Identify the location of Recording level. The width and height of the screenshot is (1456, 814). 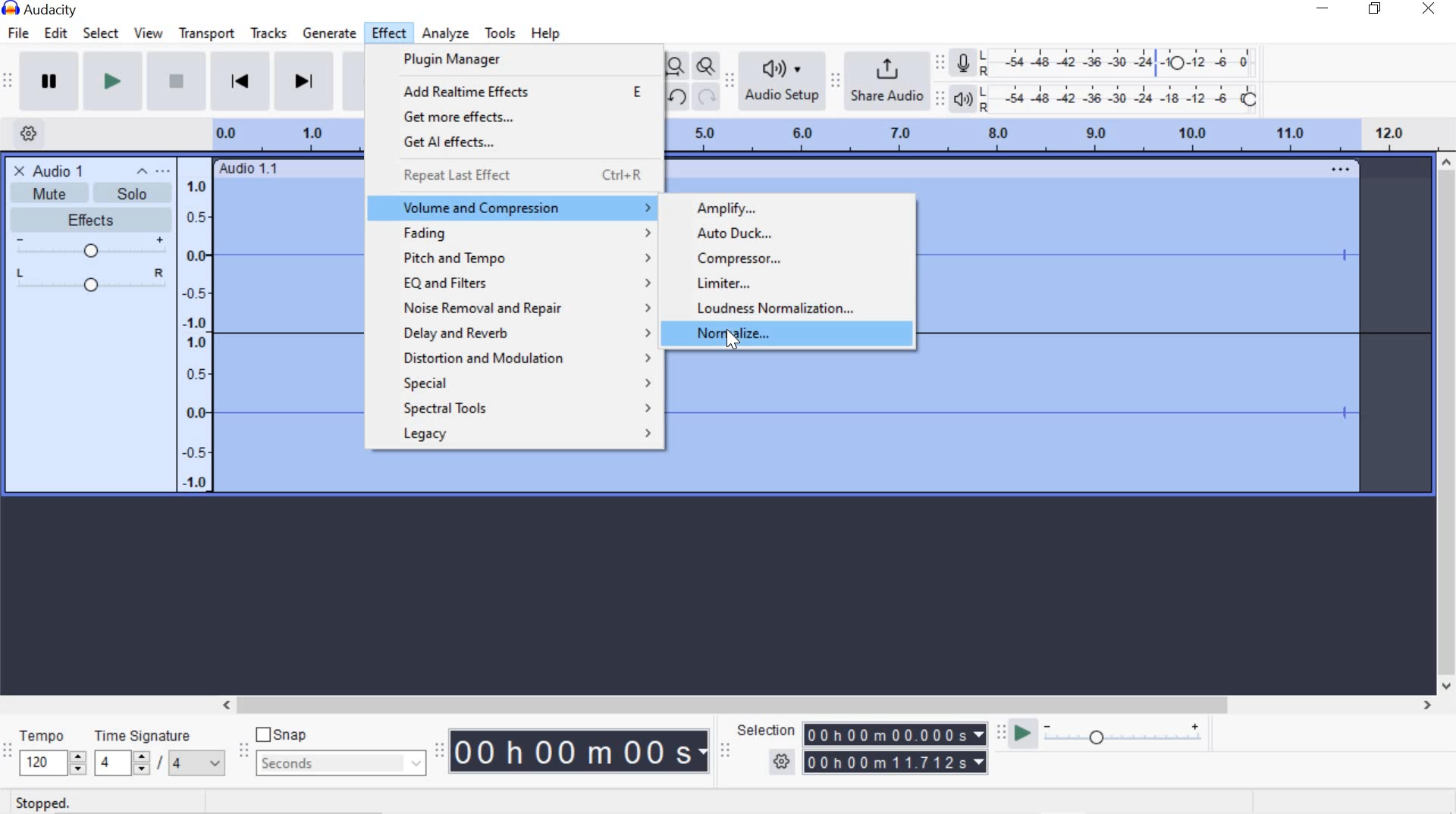
(1125, 59).